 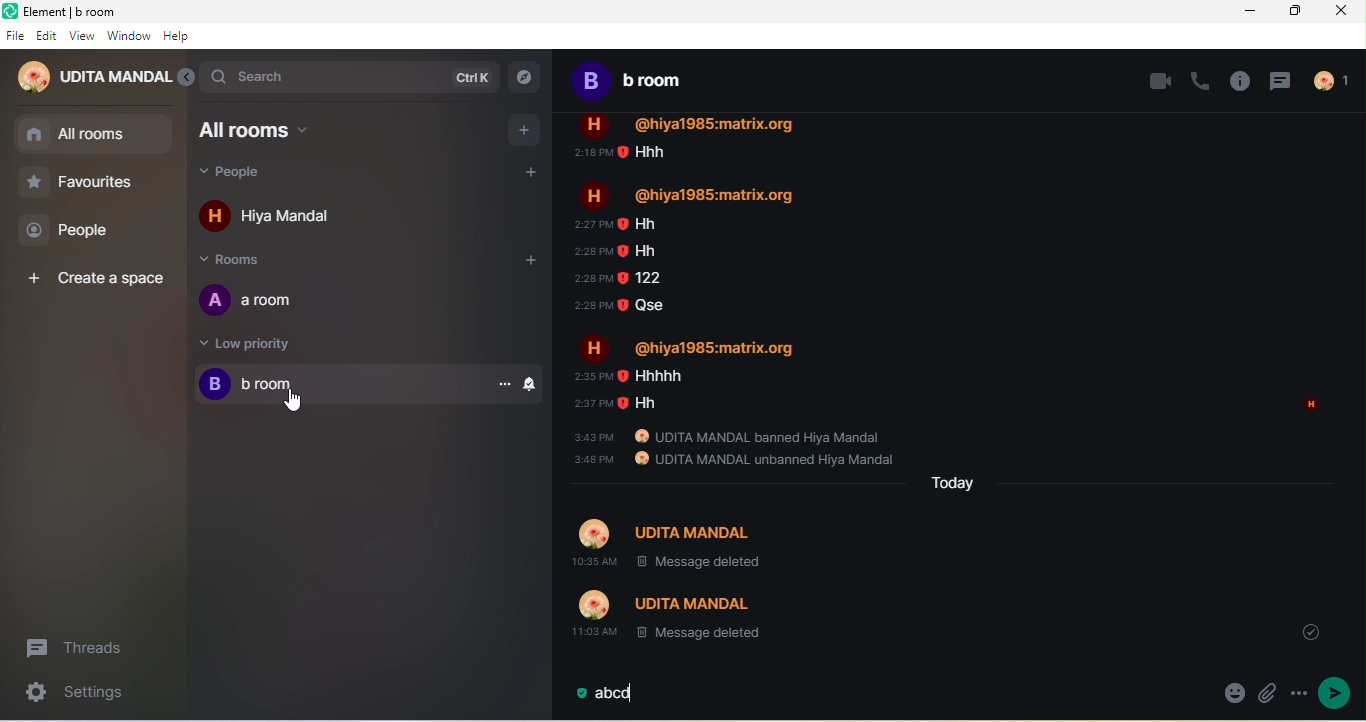 What do you see at coordinates (93, 77) in the screenshot?
I see `udita mandal` at bounding box center [93, 77].